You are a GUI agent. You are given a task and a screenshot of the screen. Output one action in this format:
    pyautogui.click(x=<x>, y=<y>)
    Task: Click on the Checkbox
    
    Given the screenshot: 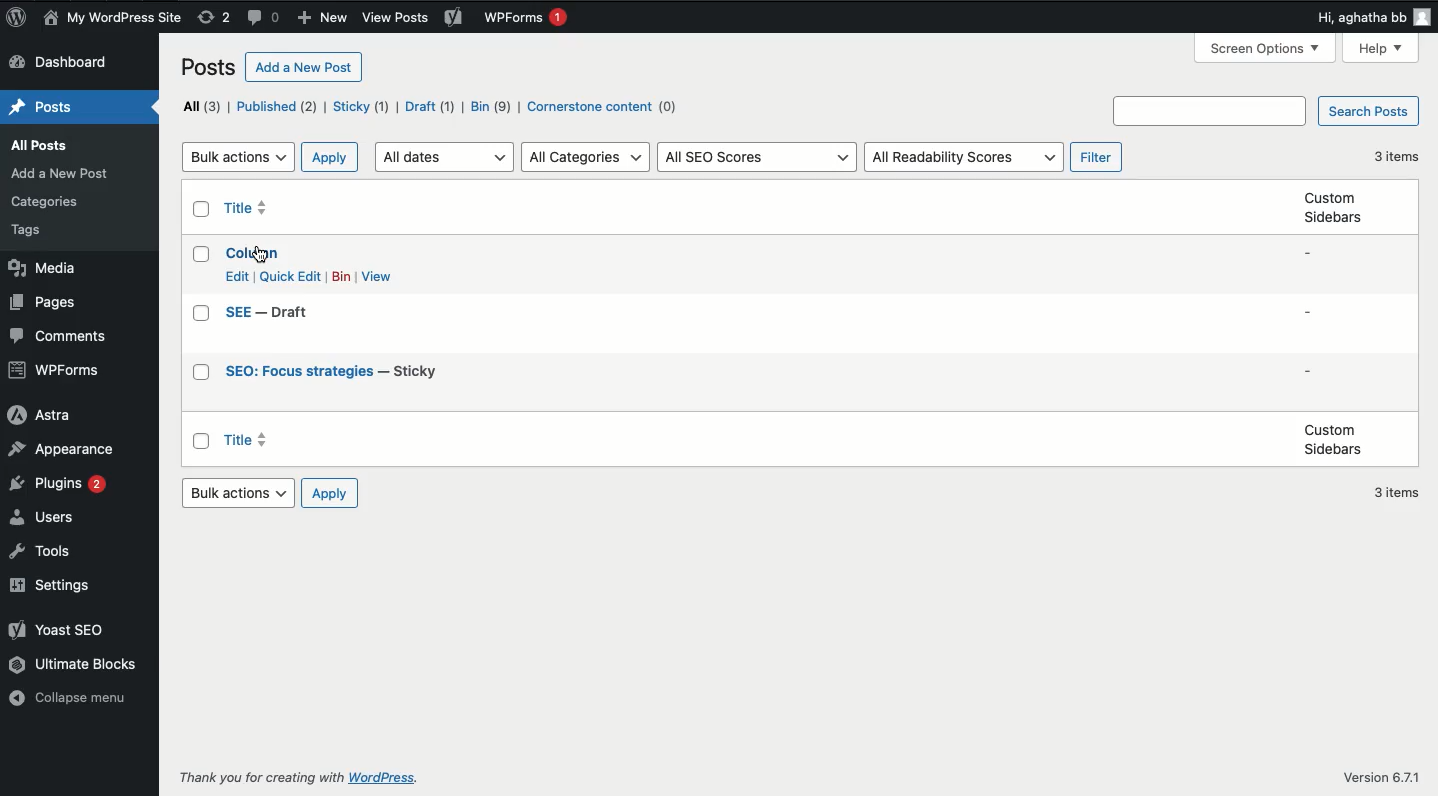 What is the action you would take?
    pyautogui.click(x=202, y=373)
    